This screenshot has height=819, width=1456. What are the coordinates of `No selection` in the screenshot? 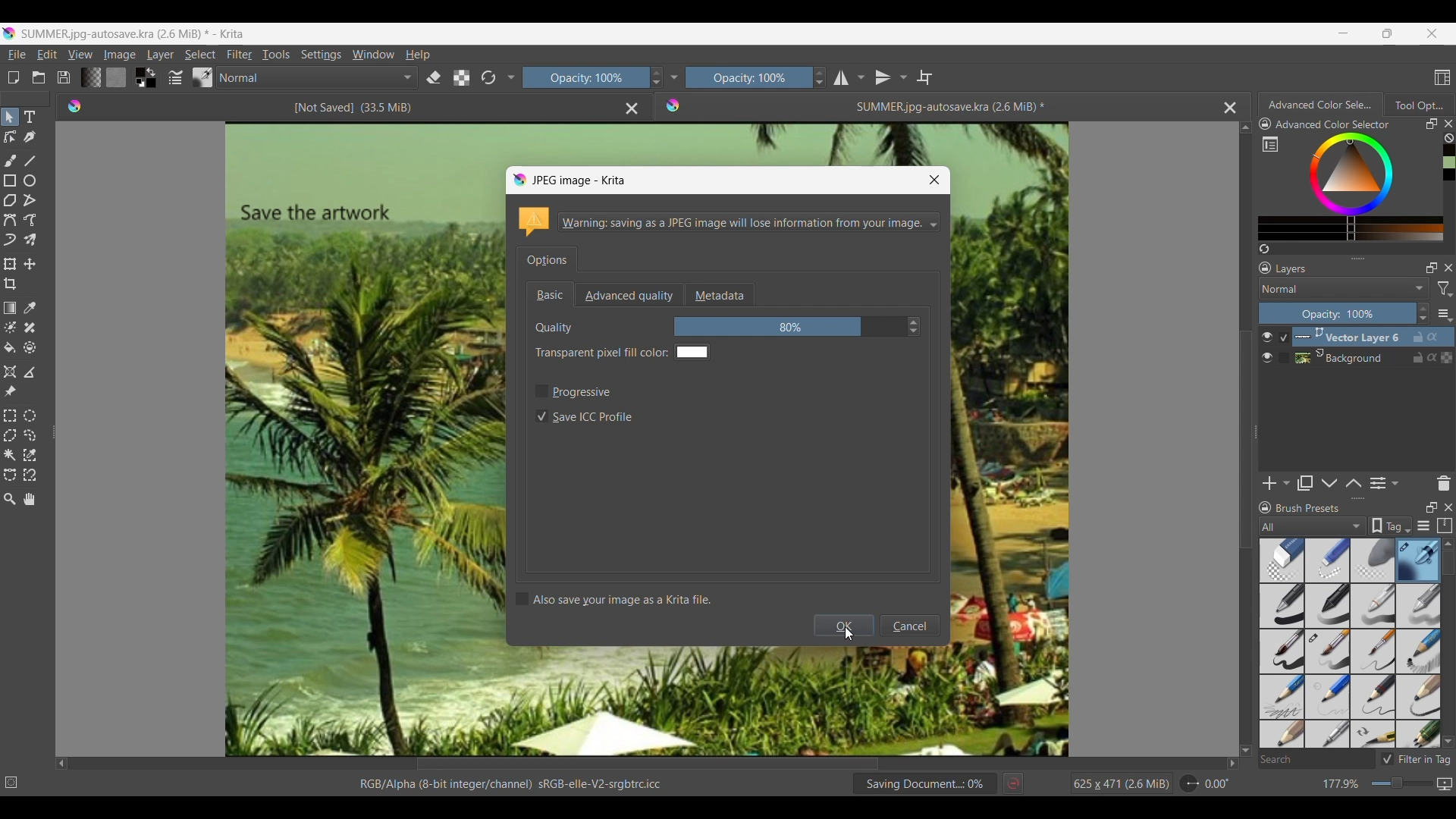 It's located at (11, 783).